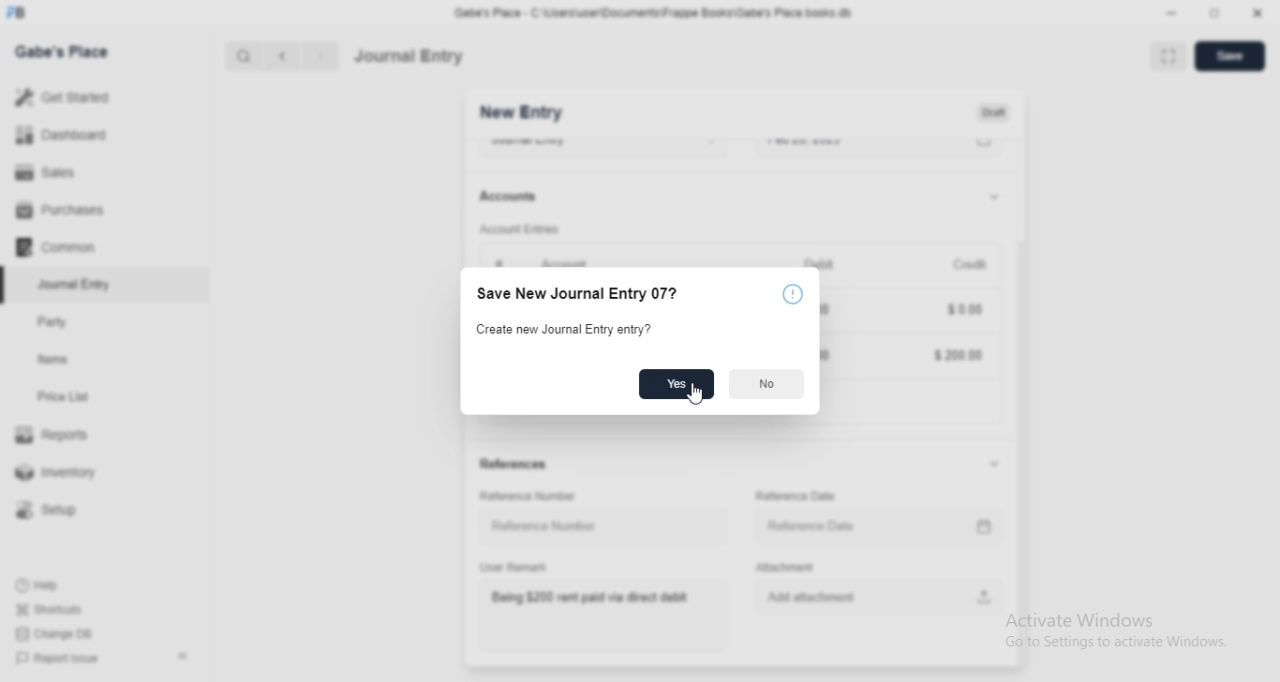  Describe the element at coordinates (561, 330) in the screenshot. I see `Create new Journal Entry entry?` at that location.